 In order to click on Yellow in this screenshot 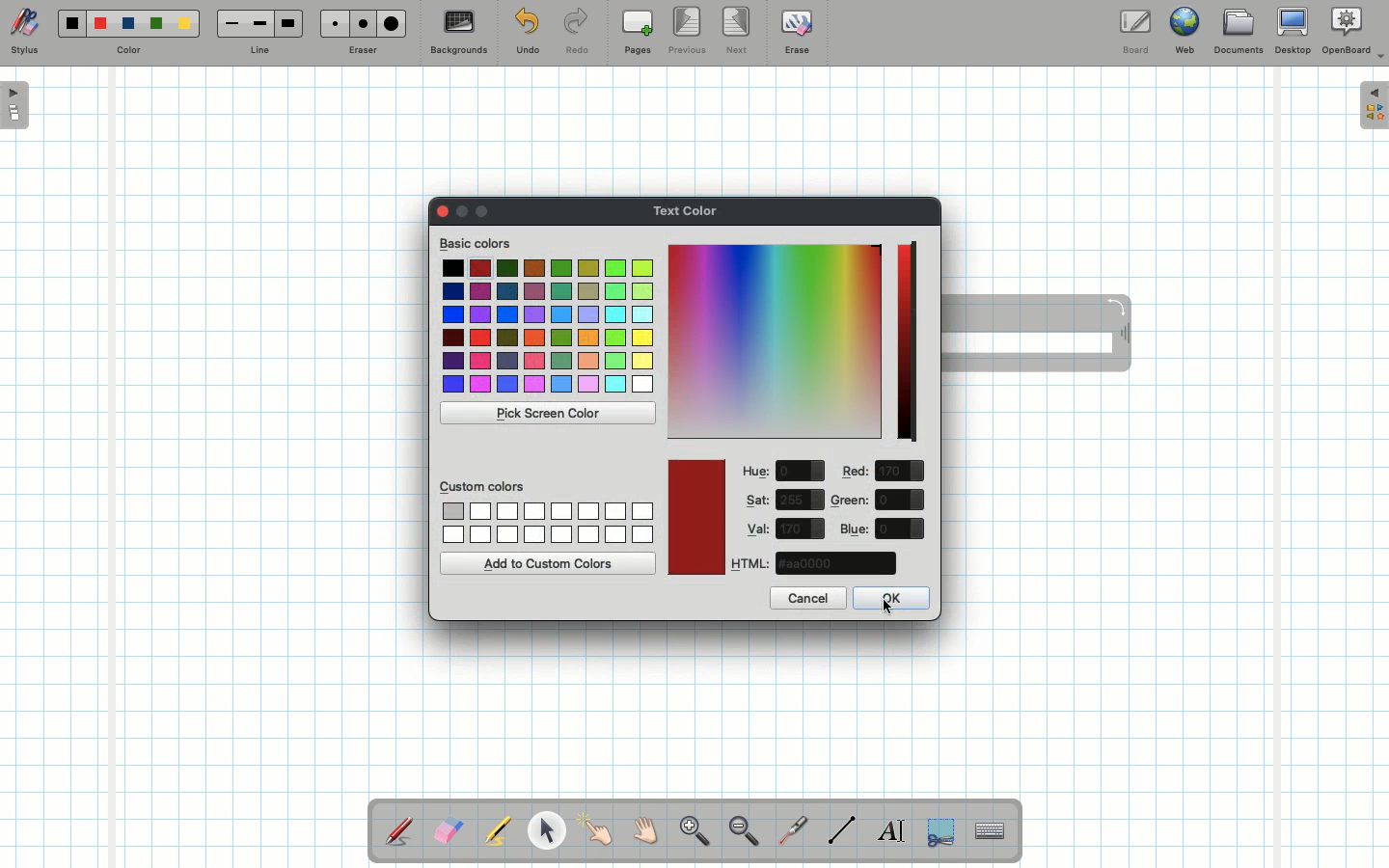, I will do `click(184, 23)`.